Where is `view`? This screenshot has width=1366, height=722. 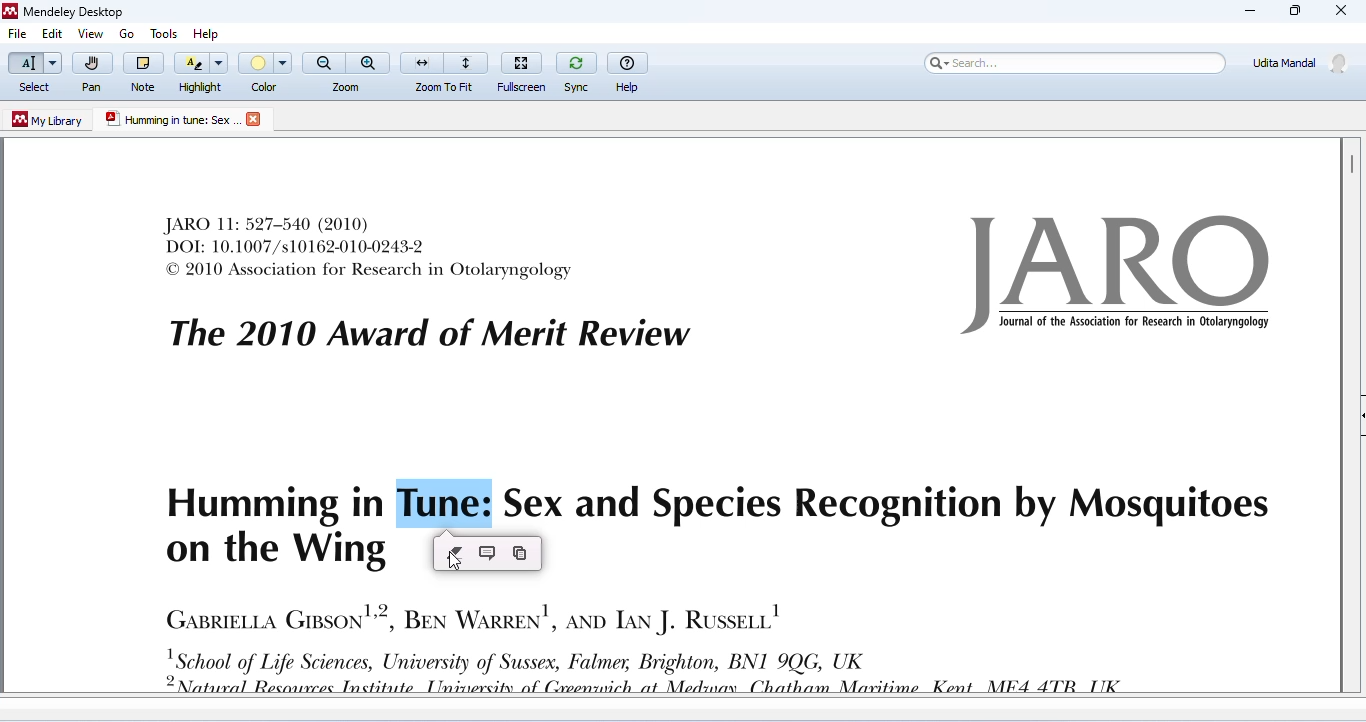 view is located at coordinates (90, 34).